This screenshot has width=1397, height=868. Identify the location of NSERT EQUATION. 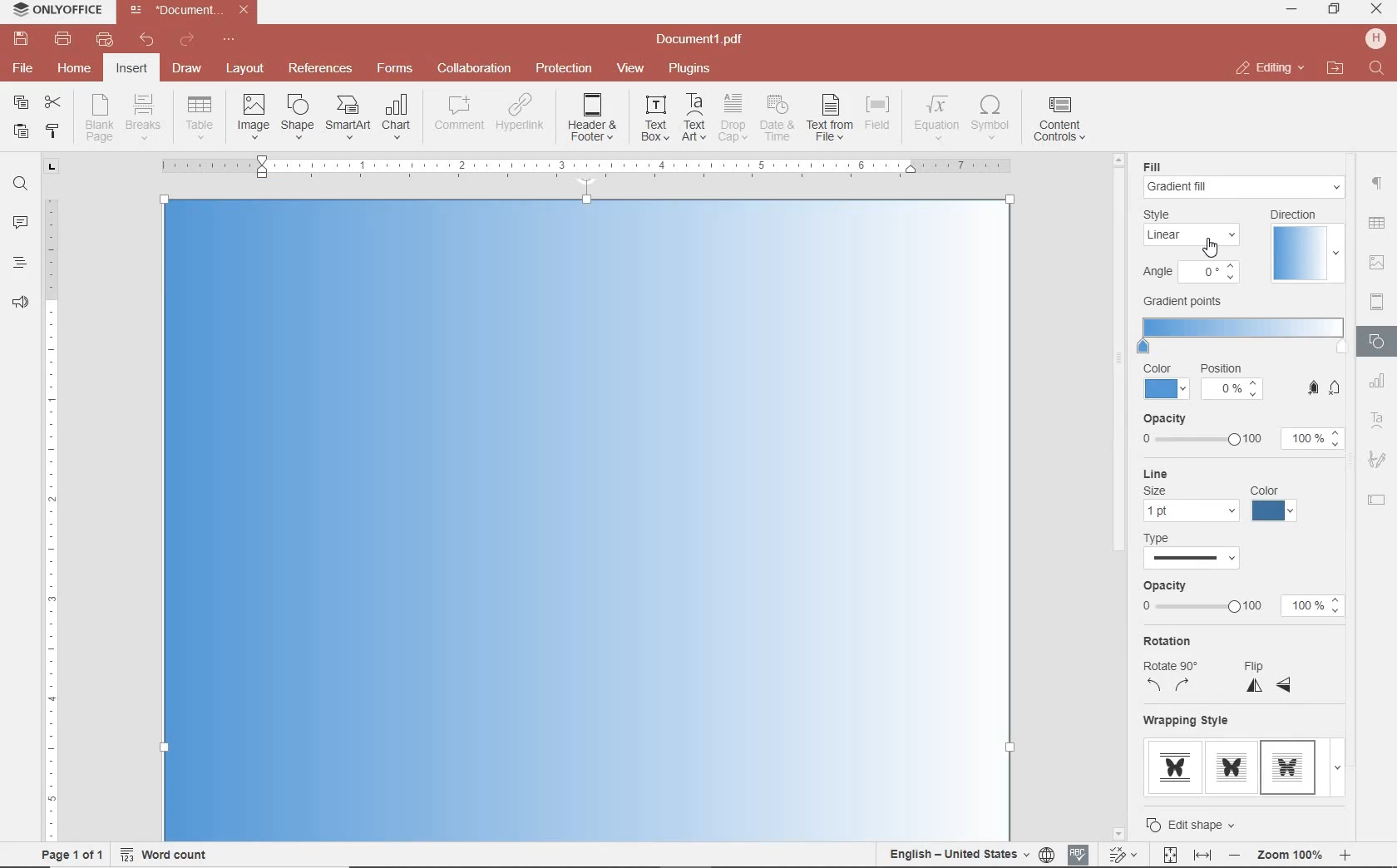
(935, 116).